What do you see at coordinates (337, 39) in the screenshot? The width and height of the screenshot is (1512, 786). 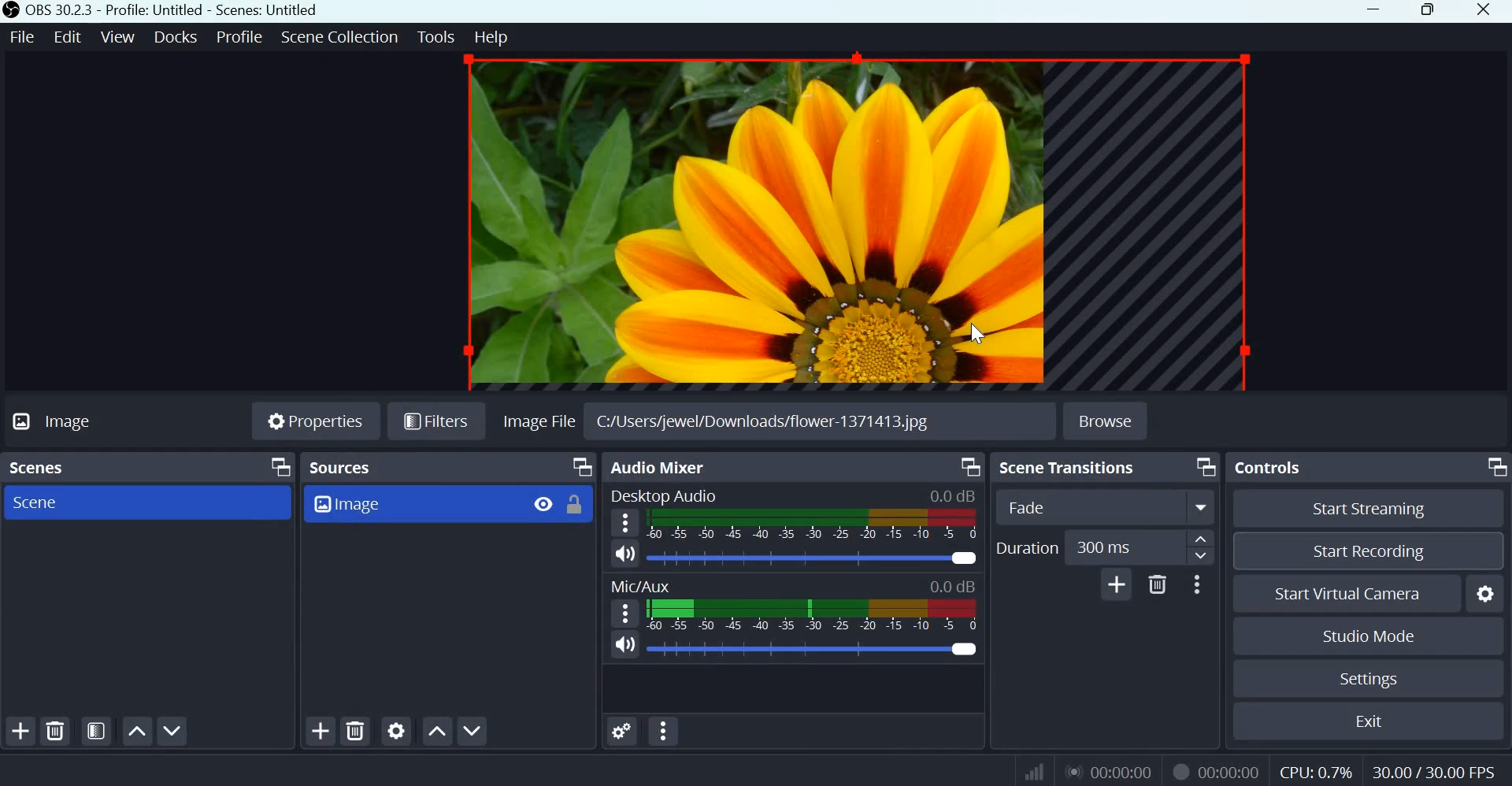 I see `Scene Collections` at bounding box center [337, 39].